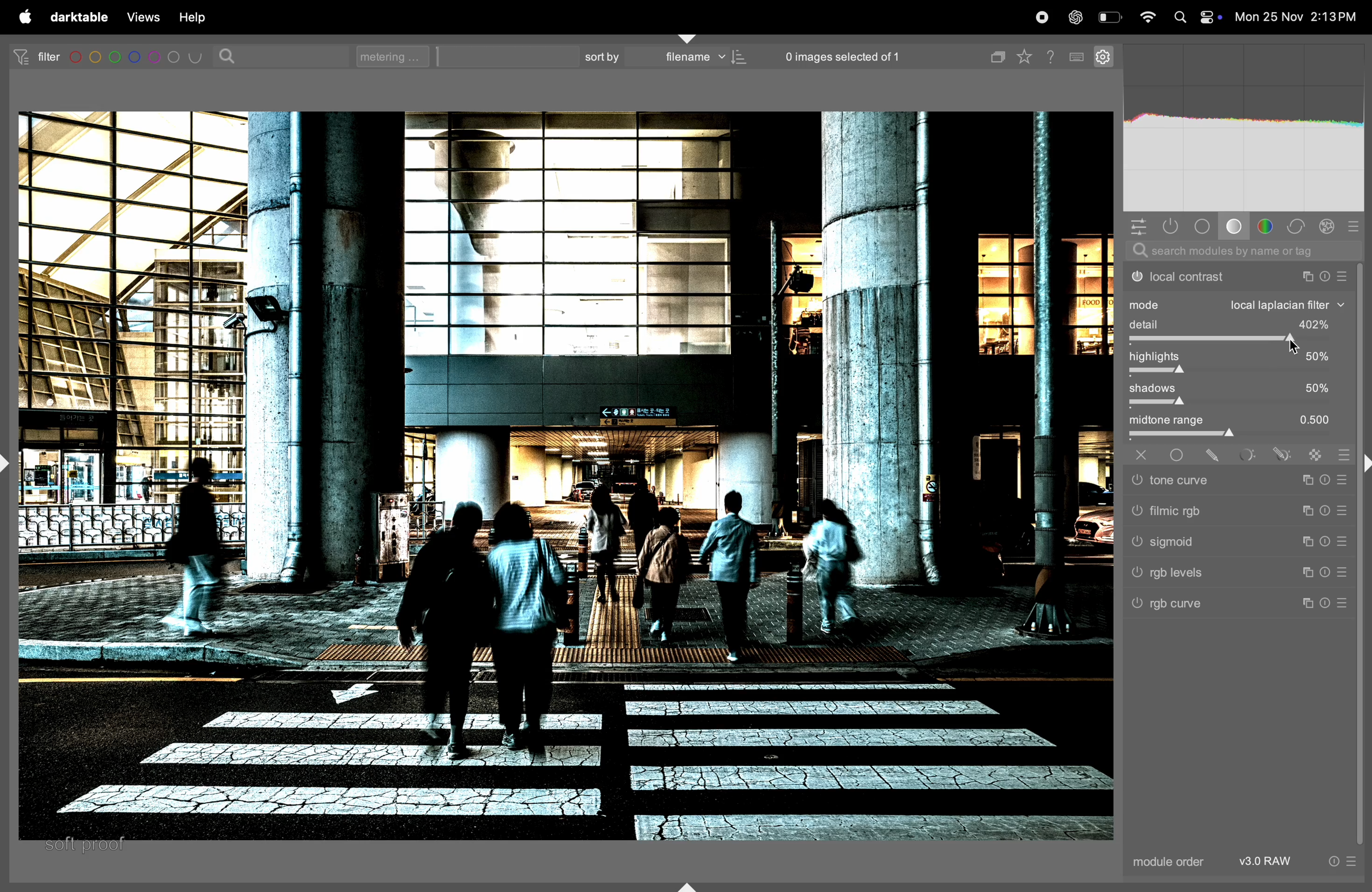 The height and width of the screenshot is (892, 1372). What do you see at coordinates (701, 58) in the screenshot?
I see `filename` at bounding box center [701, 58].